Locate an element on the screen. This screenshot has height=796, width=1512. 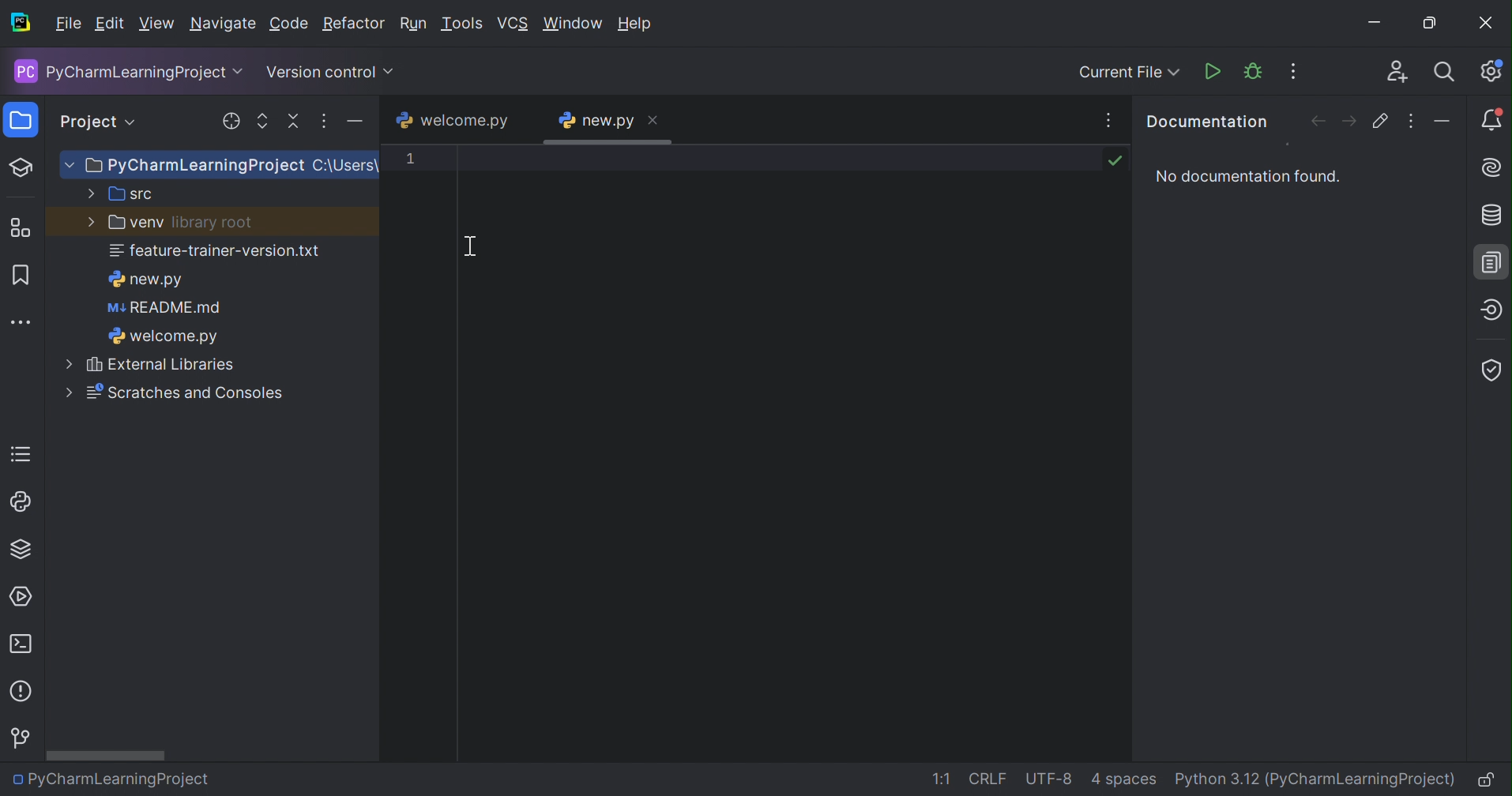
Search everywhere is located at coordinates (1446, 74).